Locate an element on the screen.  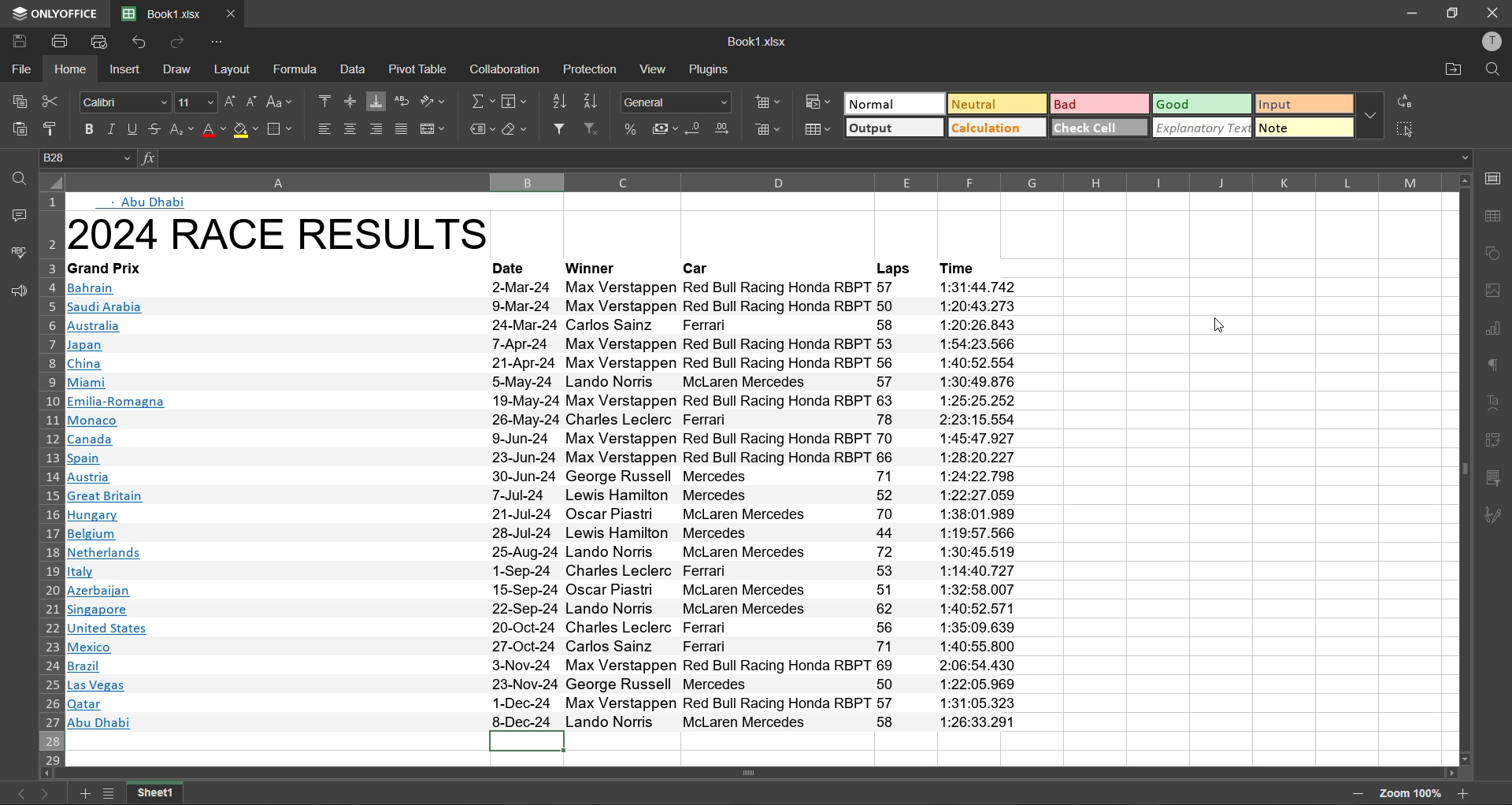
select all is located at coordinates (1411, 131).